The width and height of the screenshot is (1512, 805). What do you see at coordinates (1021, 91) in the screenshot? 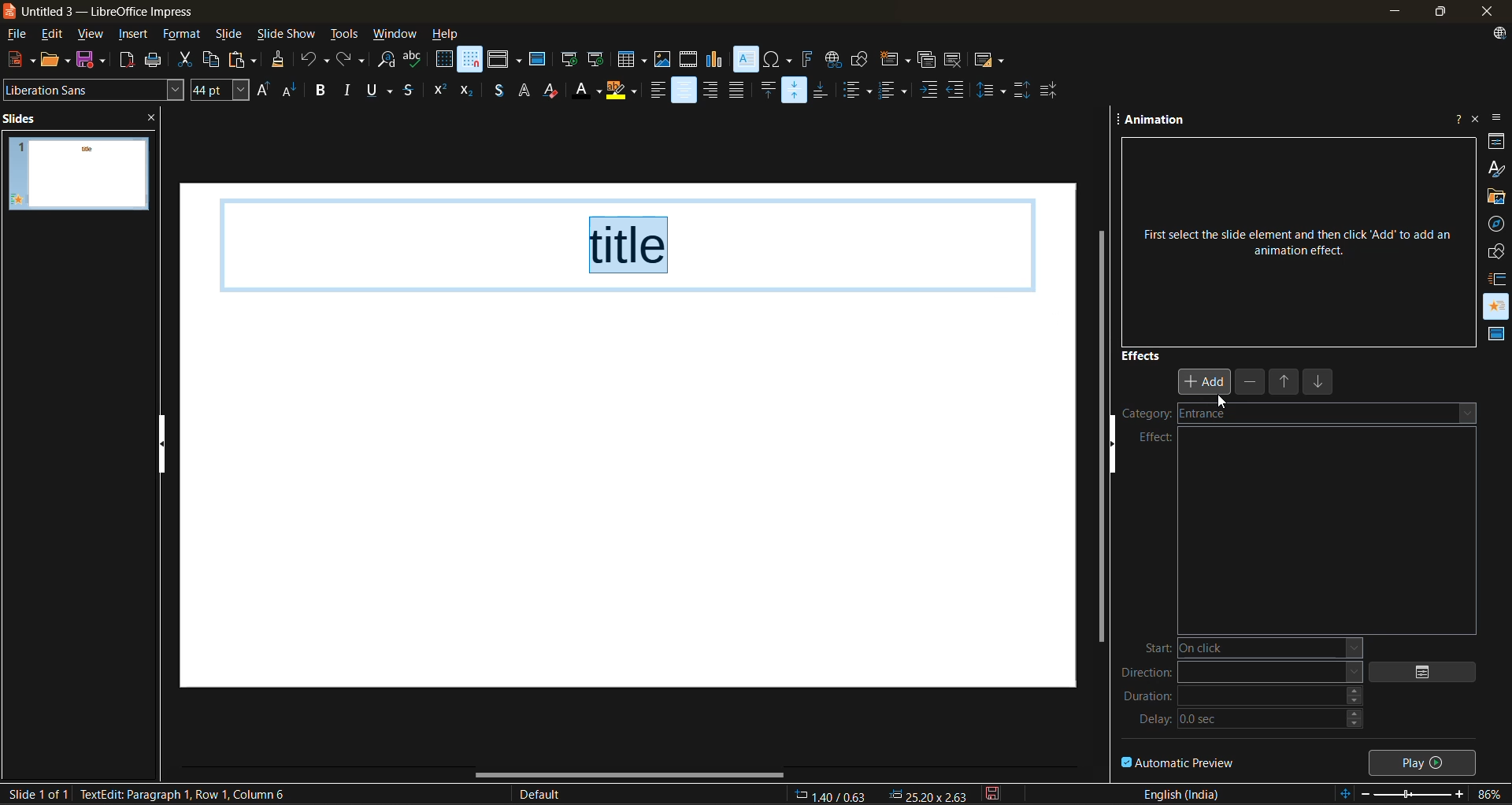
I see `increase paragraph spacing` at bounding box center [1021, 91].